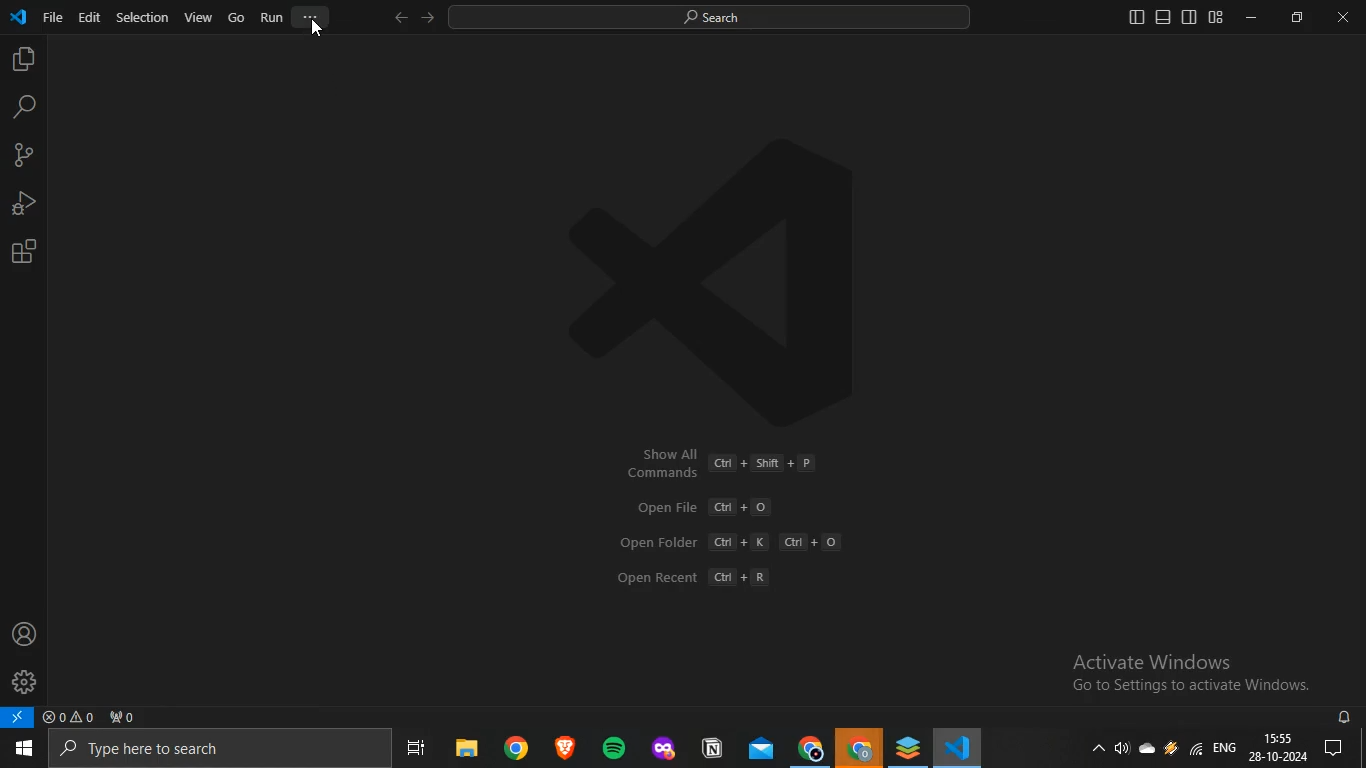 The height and width of the screenshot is (768, 1366). Describe the element at coordinates (198, 17) in the screenshot. I see `view` at that location.